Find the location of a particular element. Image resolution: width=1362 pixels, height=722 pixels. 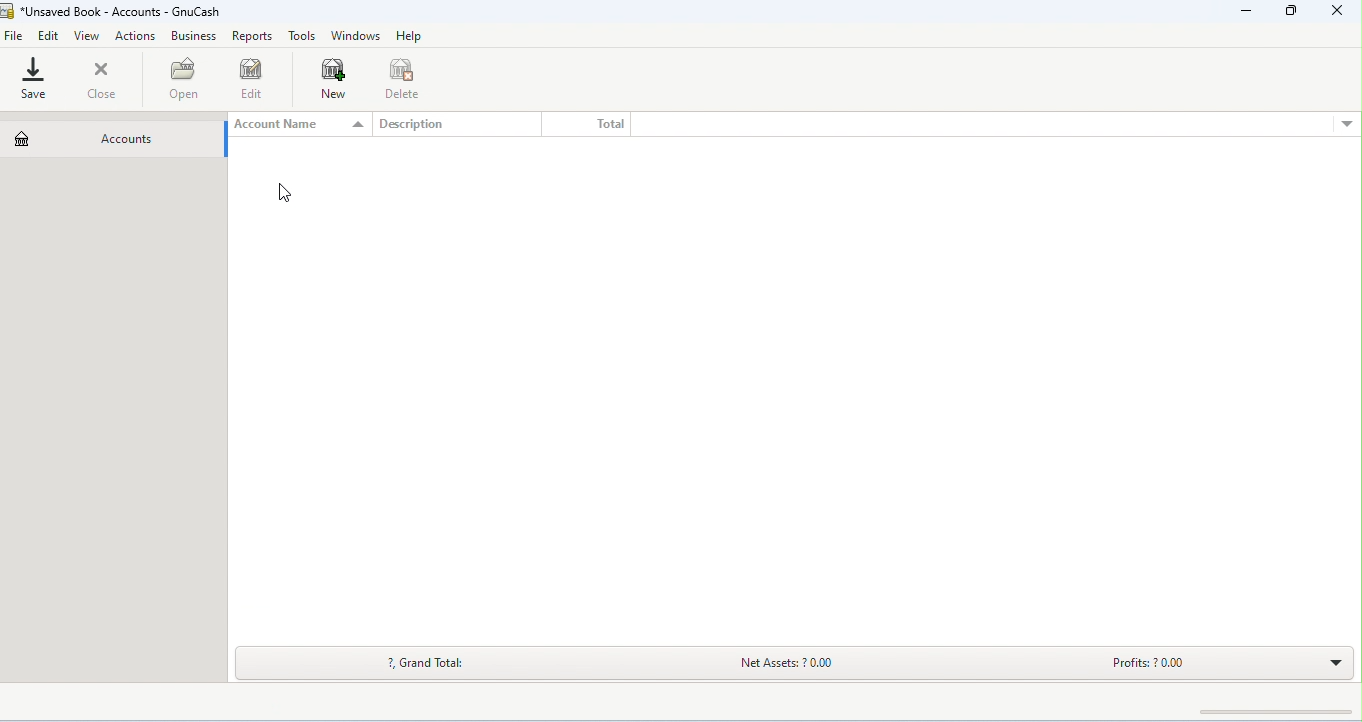

view is located at coordinates (87, 36).